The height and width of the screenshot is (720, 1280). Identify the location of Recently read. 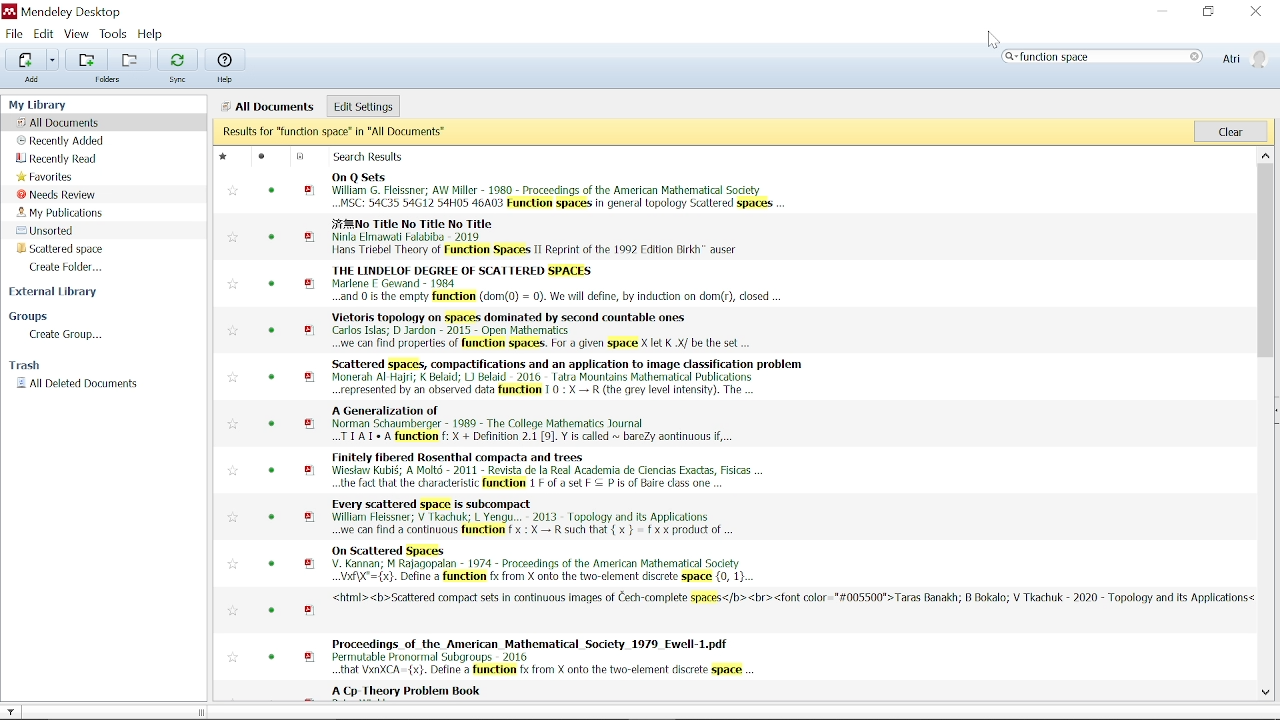
(71, 159).